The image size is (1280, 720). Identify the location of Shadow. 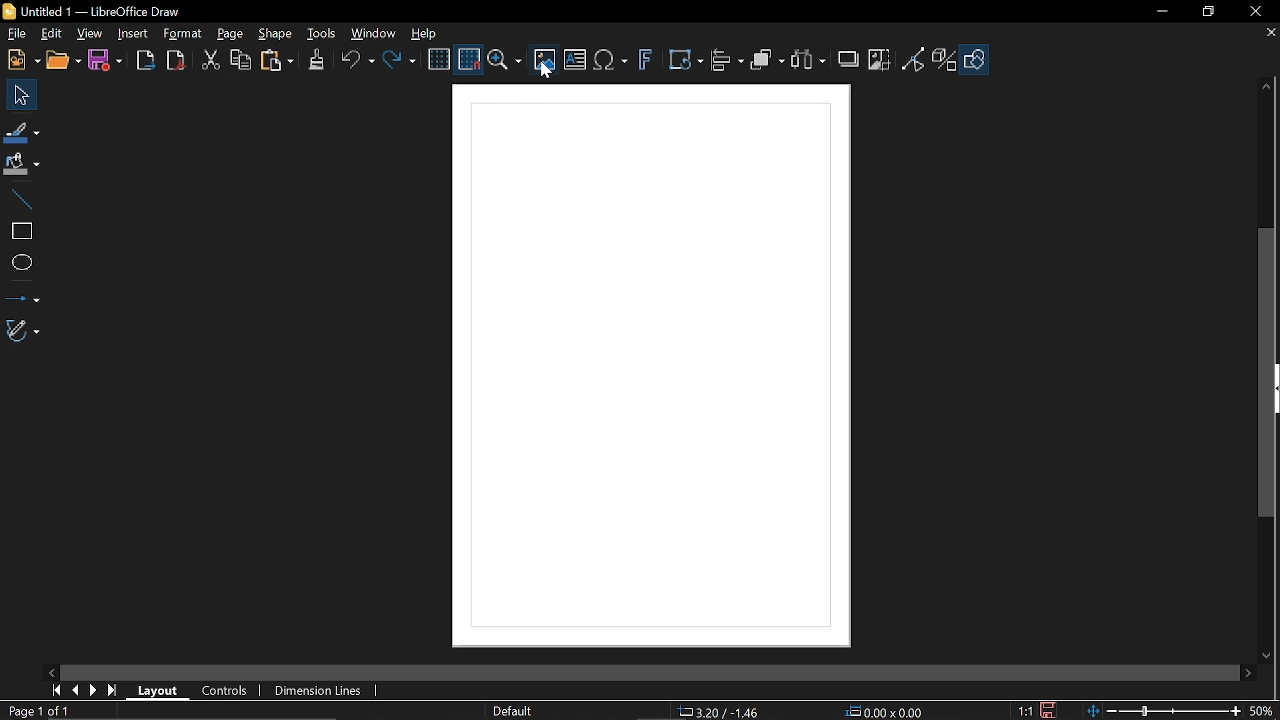
(849, 59).